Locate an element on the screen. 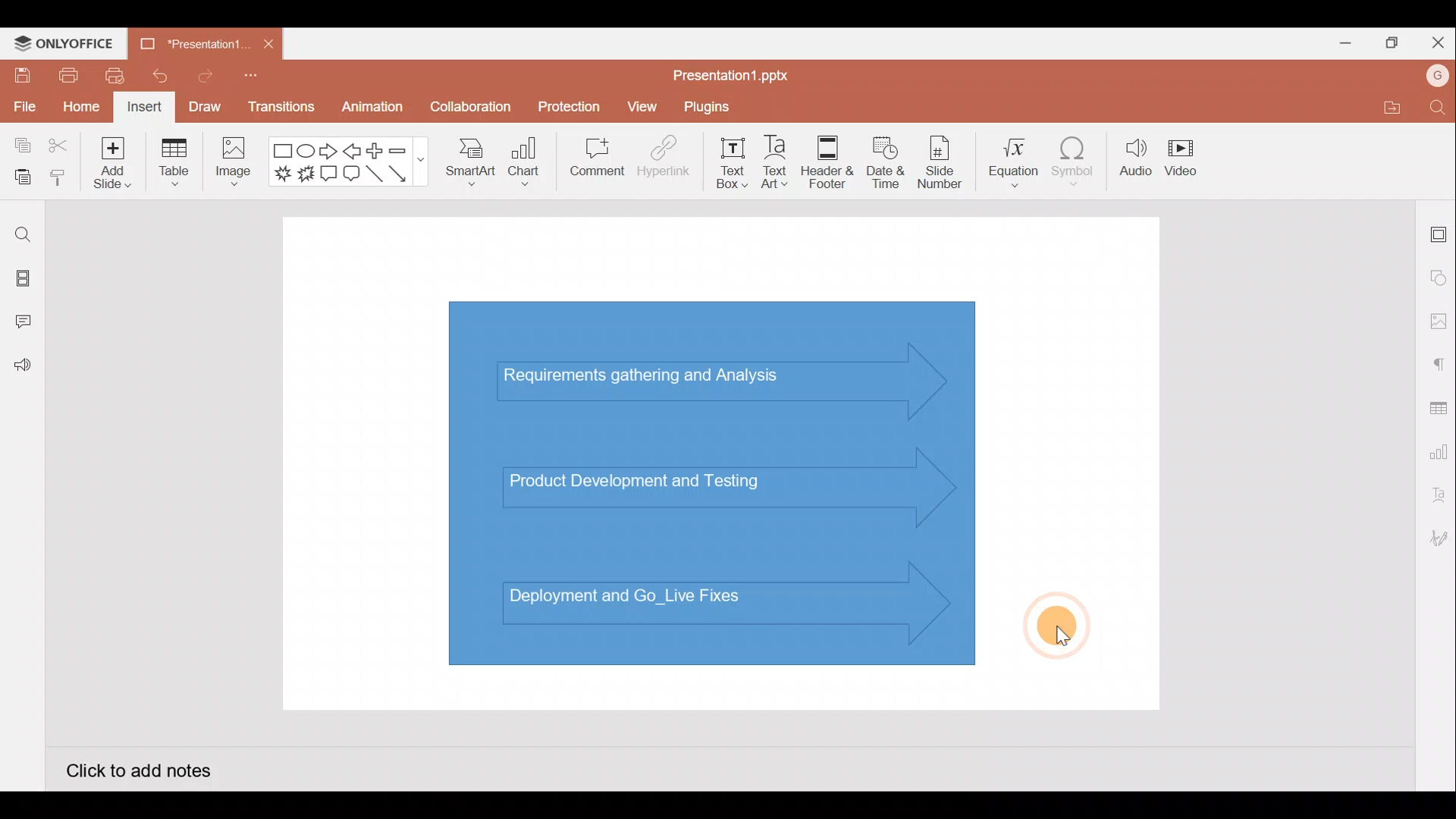 The width and height of the screenshot is (1456, 819). Maximize is located at coordinates (1388, 43).